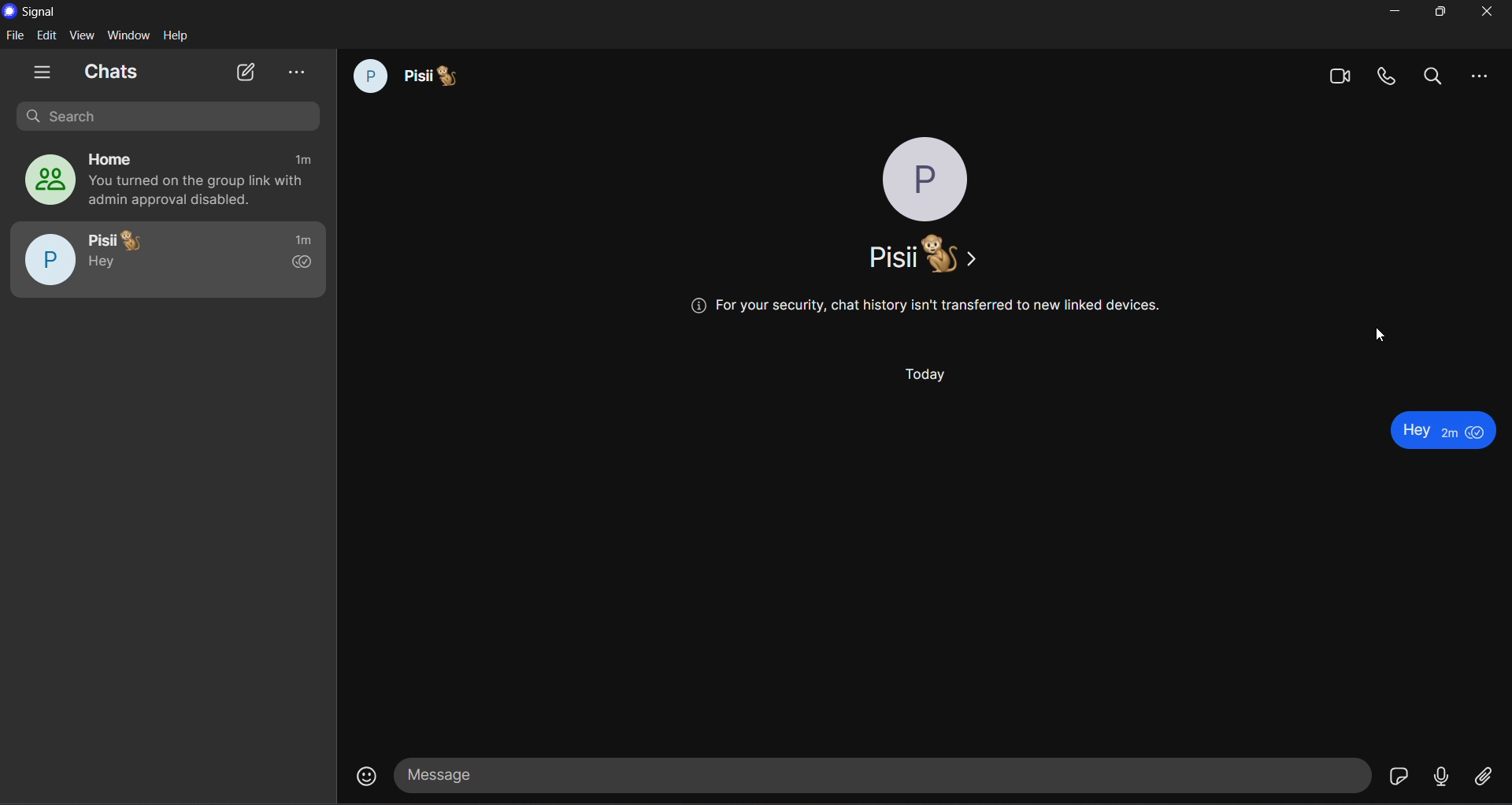 The image size is (1512, 805). What do you see at coordinates (178, 35) in the screenshot?
I see `help` at bounding box center [178, 35].